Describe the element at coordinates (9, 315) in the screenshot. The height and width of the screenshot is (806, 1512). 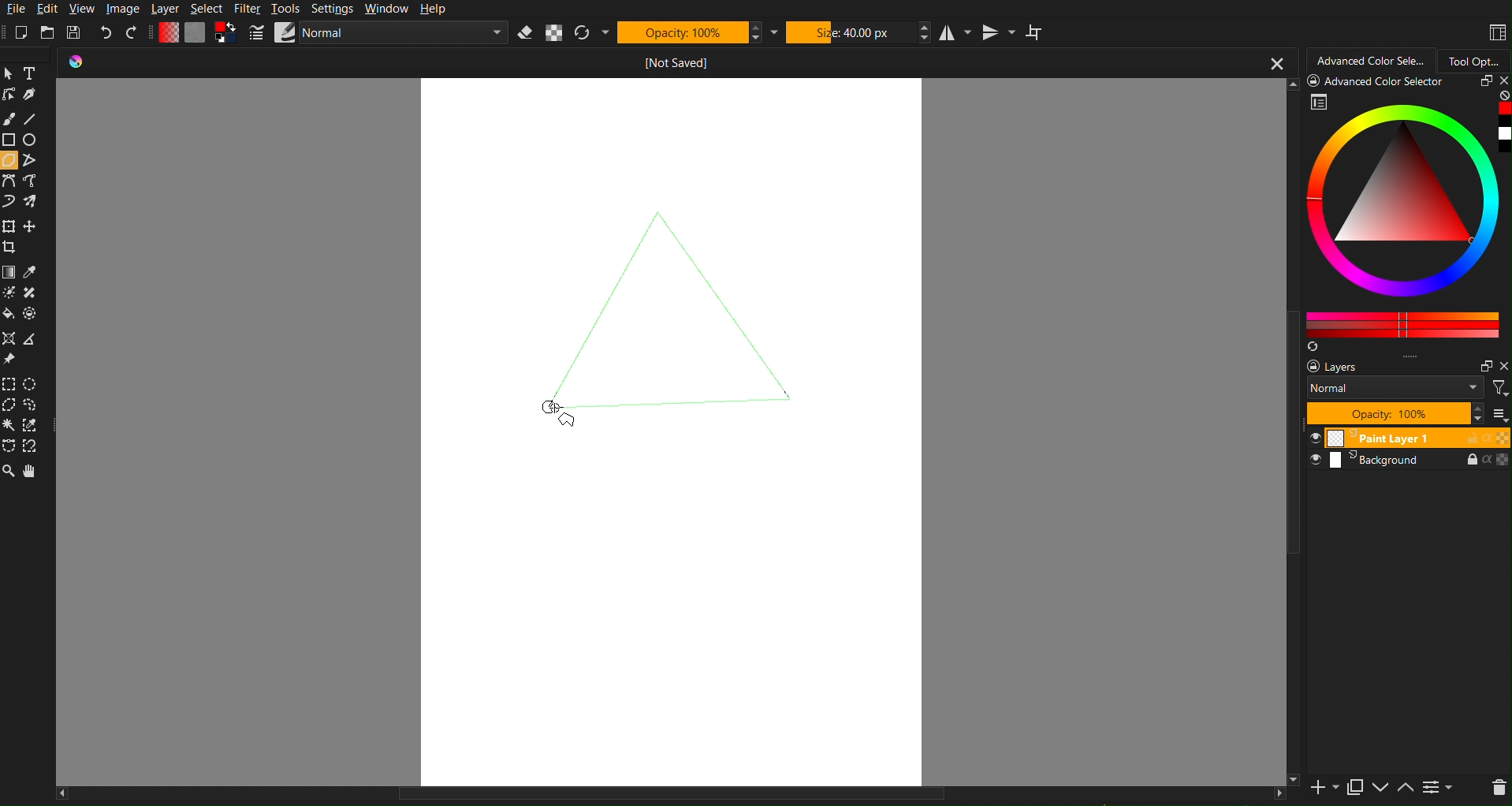
I see `fill a contiguous area of color with a color, or fill a selection` at that location.